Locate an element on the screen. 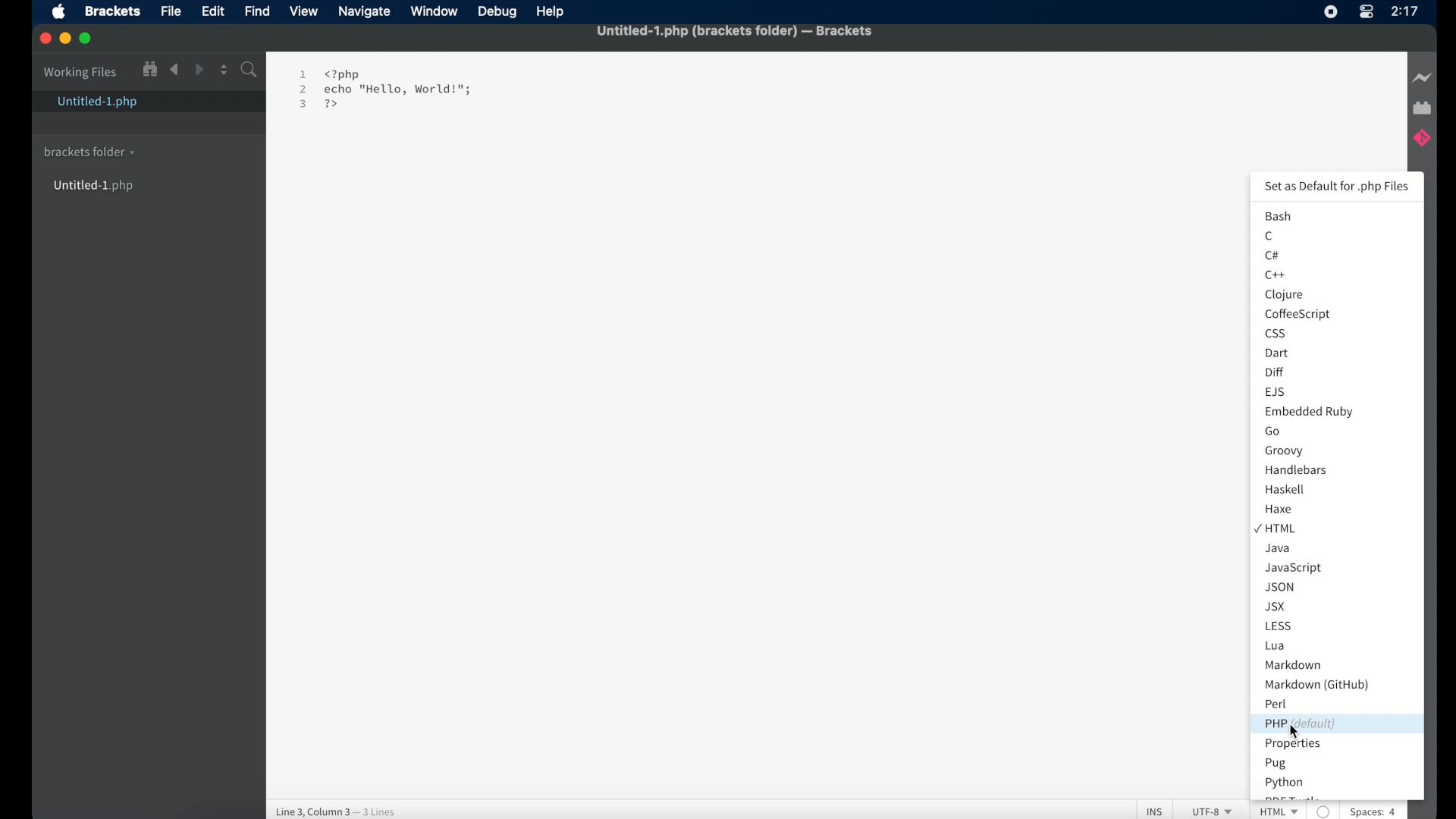 This screenshot has height=819, width=1456. obscured text is located at coordinates (1291, 799).